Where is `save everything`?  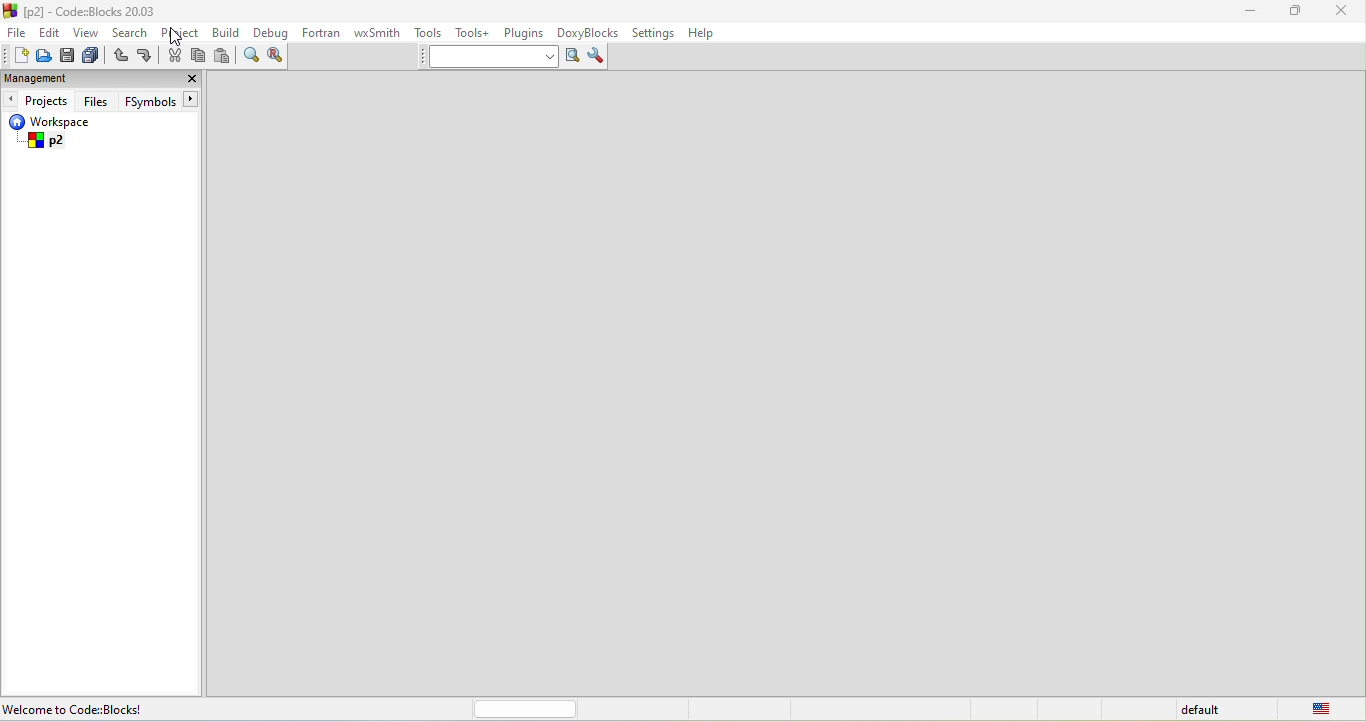
save everything is located at coordinates (94, 55).